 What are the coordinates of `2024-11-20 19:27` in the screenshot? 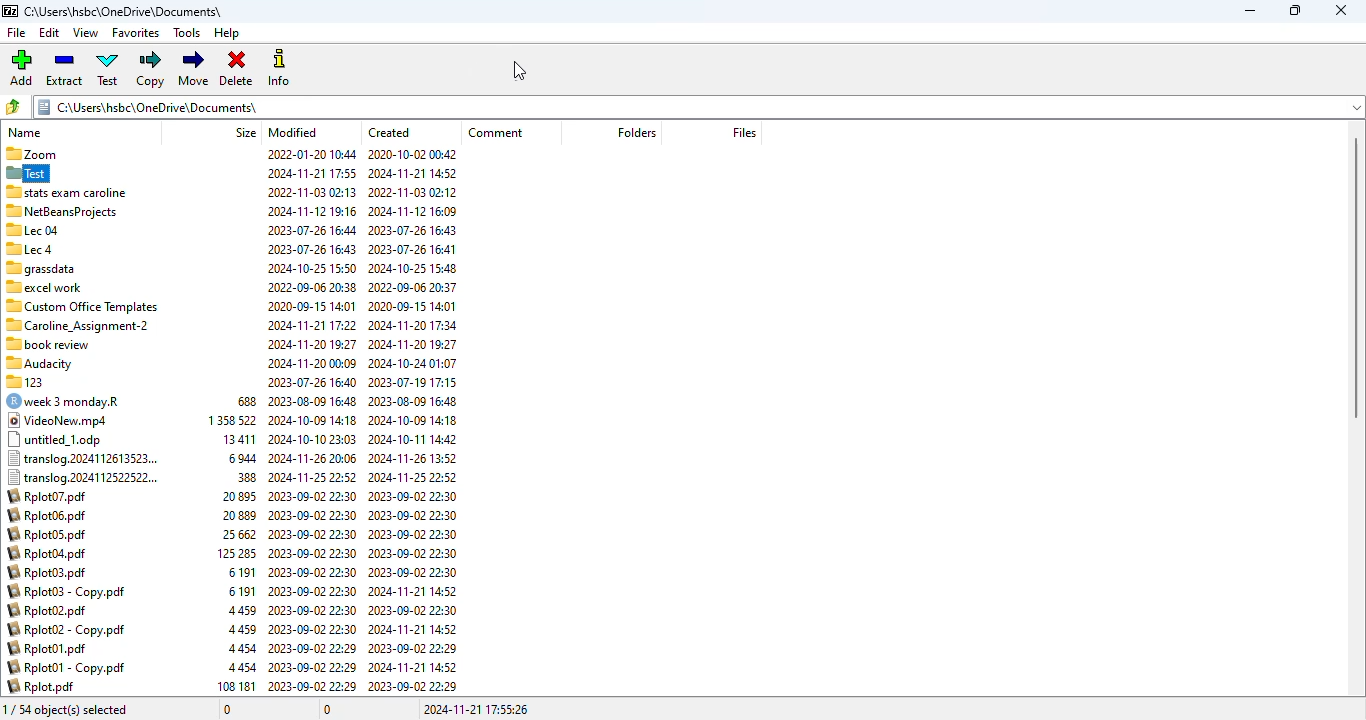 It's located at (413, 344).